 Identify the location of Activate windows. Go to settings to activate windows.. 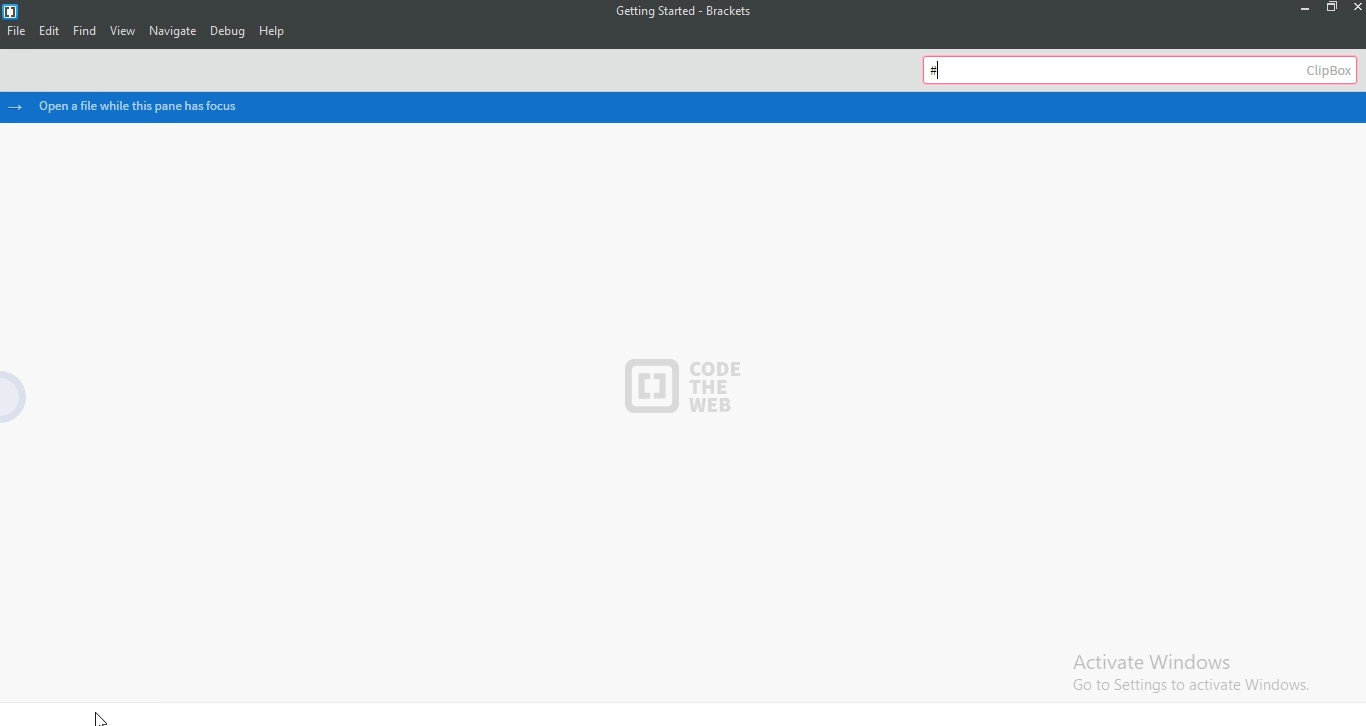
(1186, 666).